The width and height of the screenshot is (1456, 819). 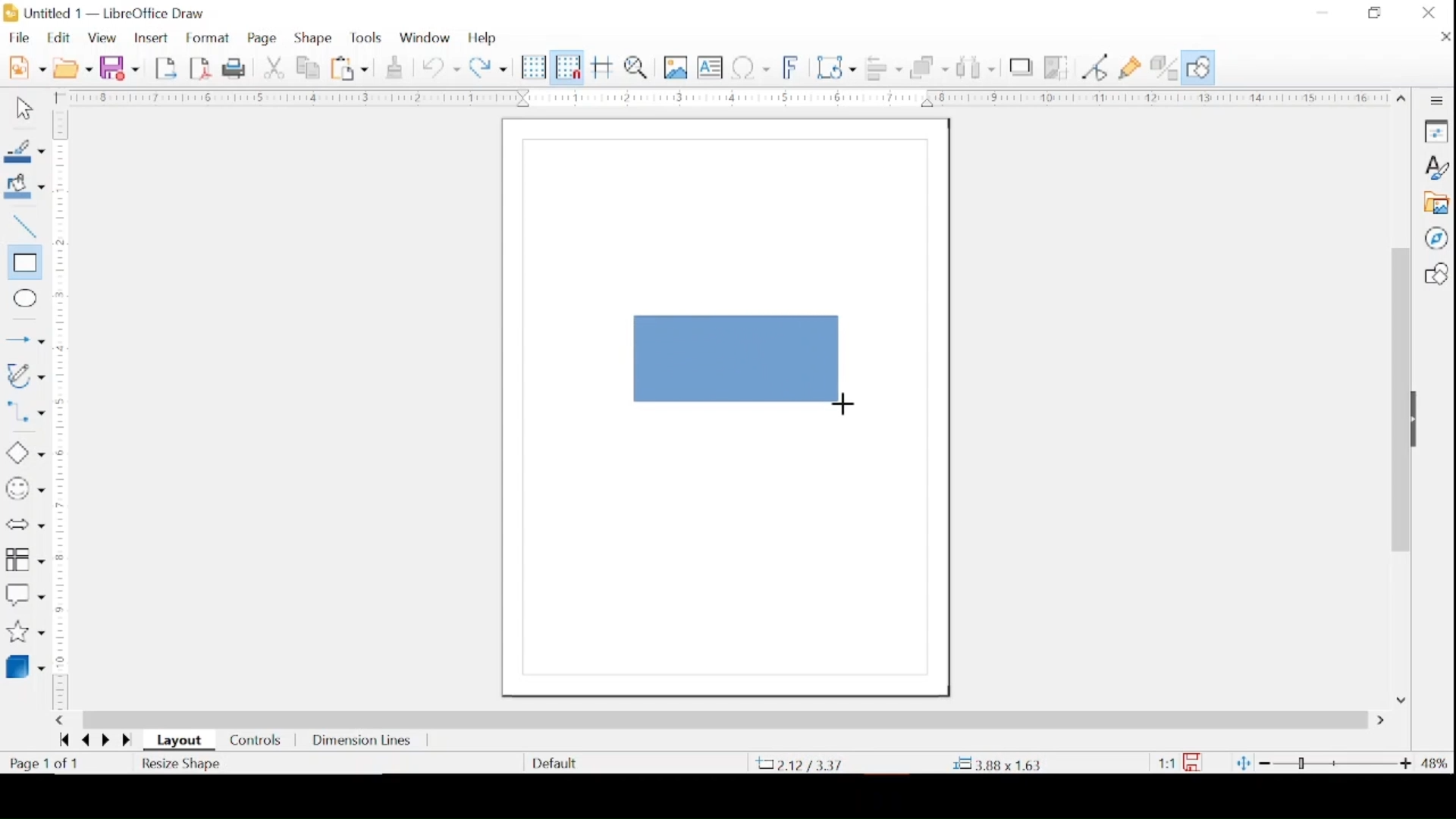 I want to click on page, so click(x=264, y=39).